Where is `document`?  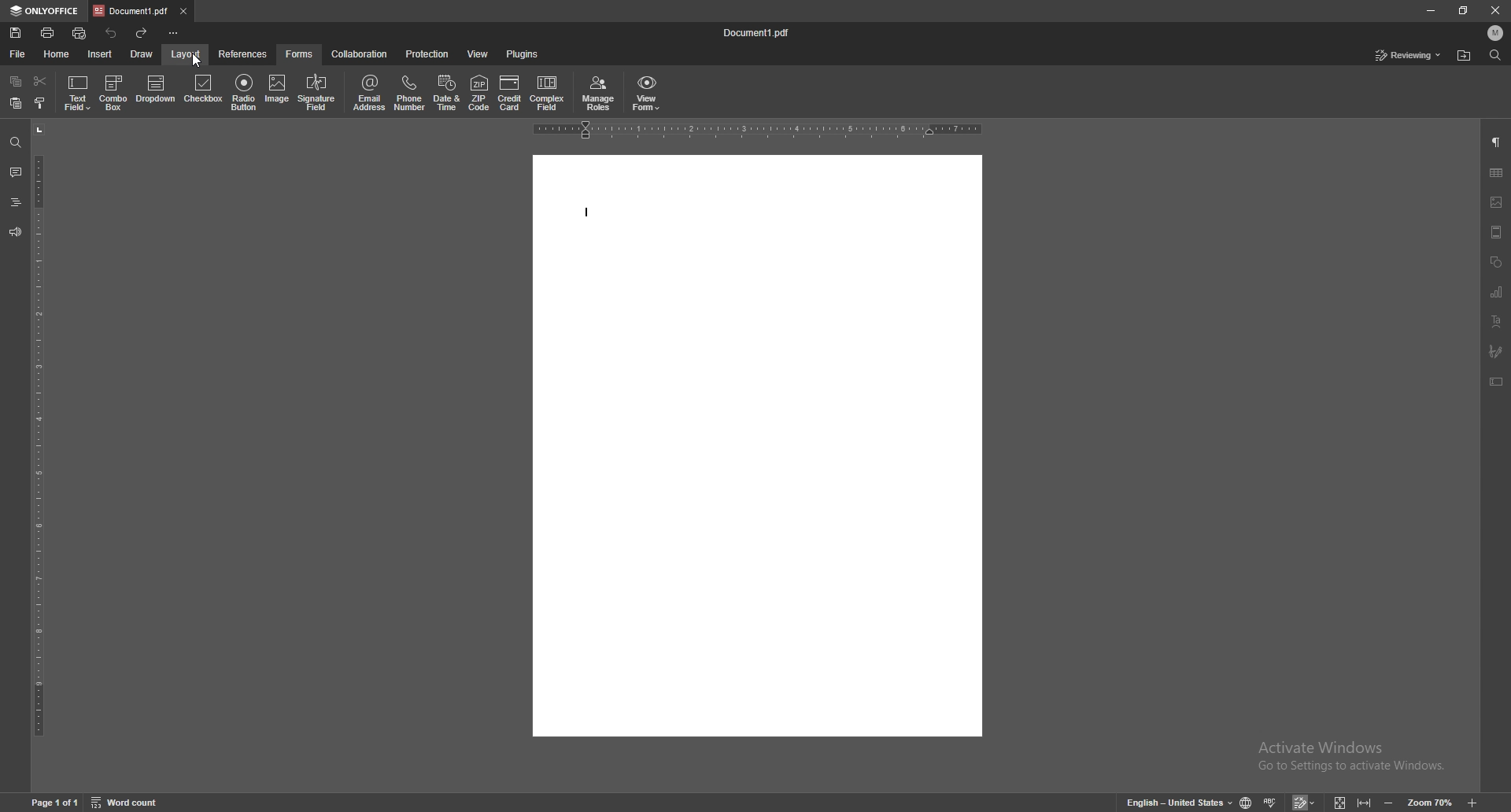 document is located at coordinates (756, 445).